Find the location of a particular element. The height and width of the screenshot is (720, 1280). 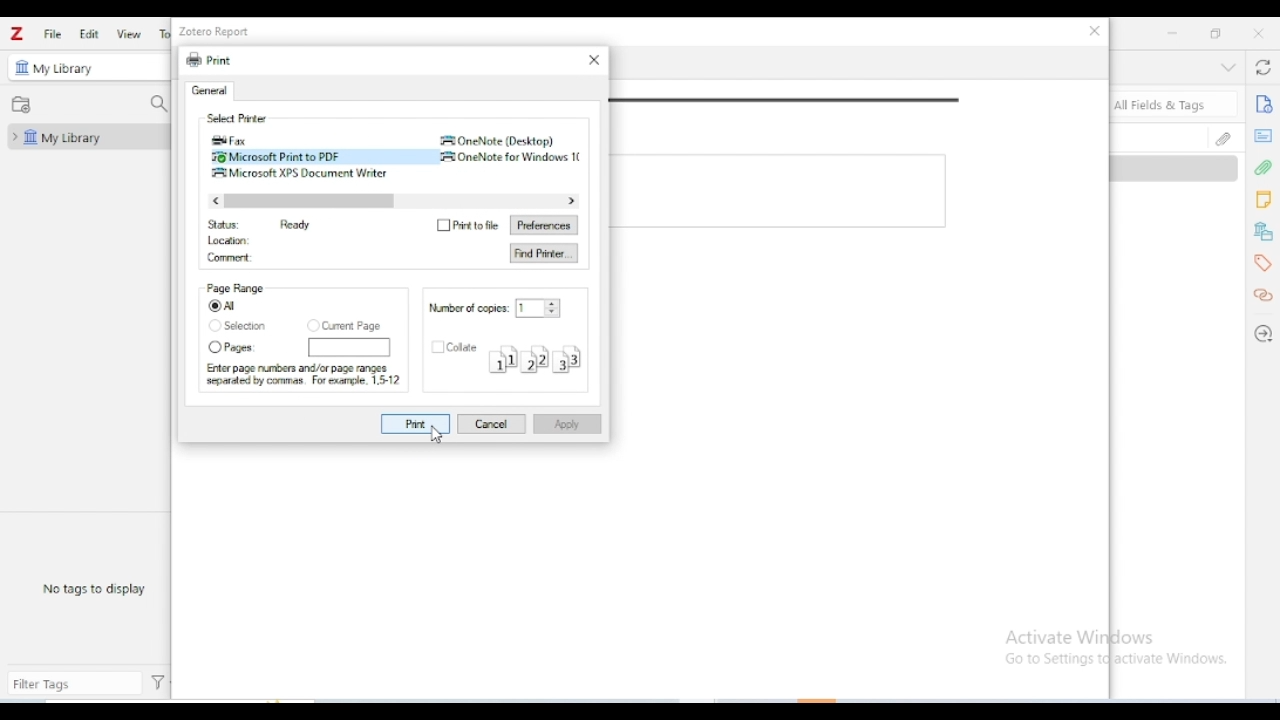

icon is located at coordinates (20, 67).